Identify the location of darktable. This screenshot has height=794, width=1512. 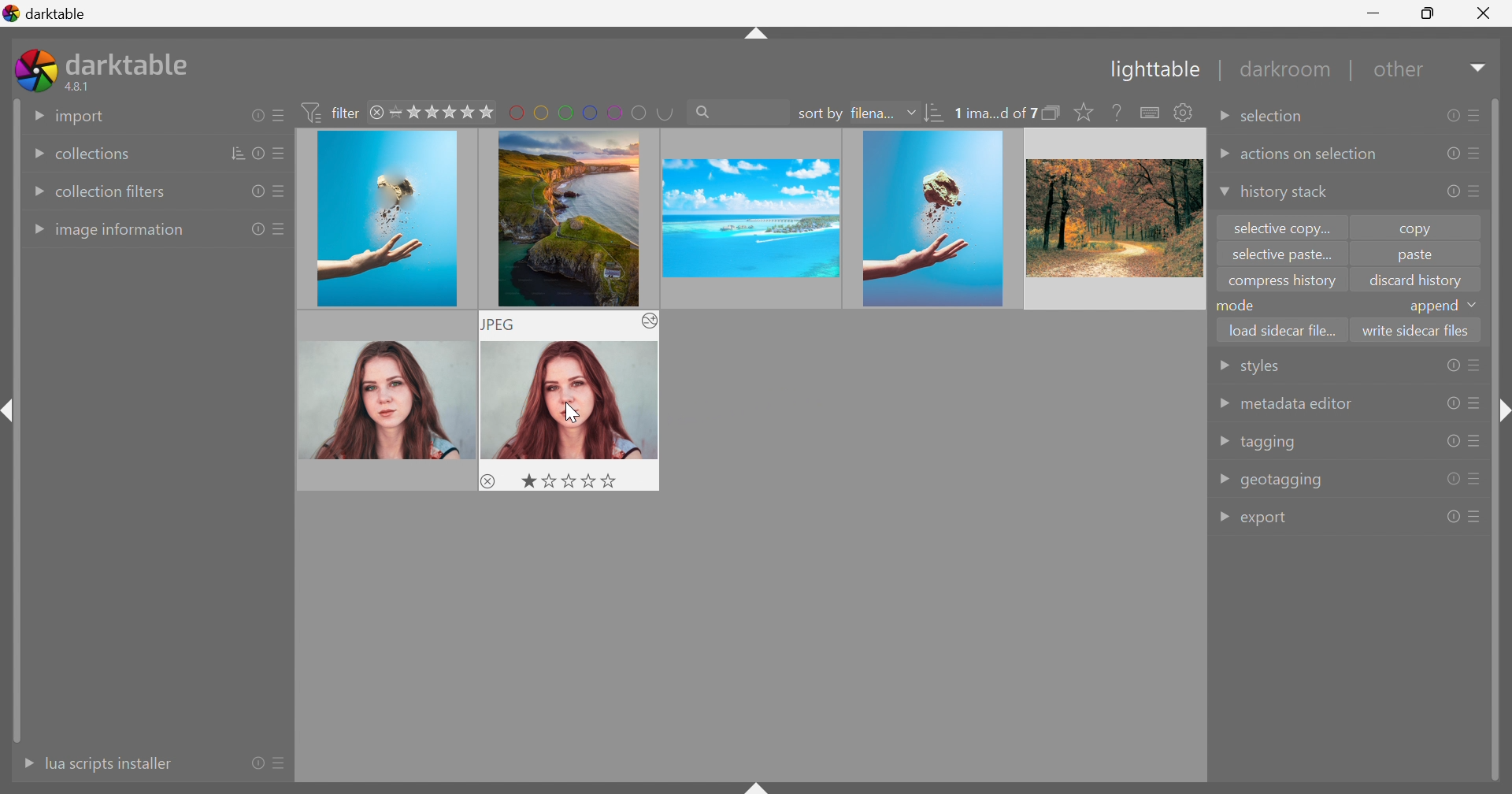
(131, 61).